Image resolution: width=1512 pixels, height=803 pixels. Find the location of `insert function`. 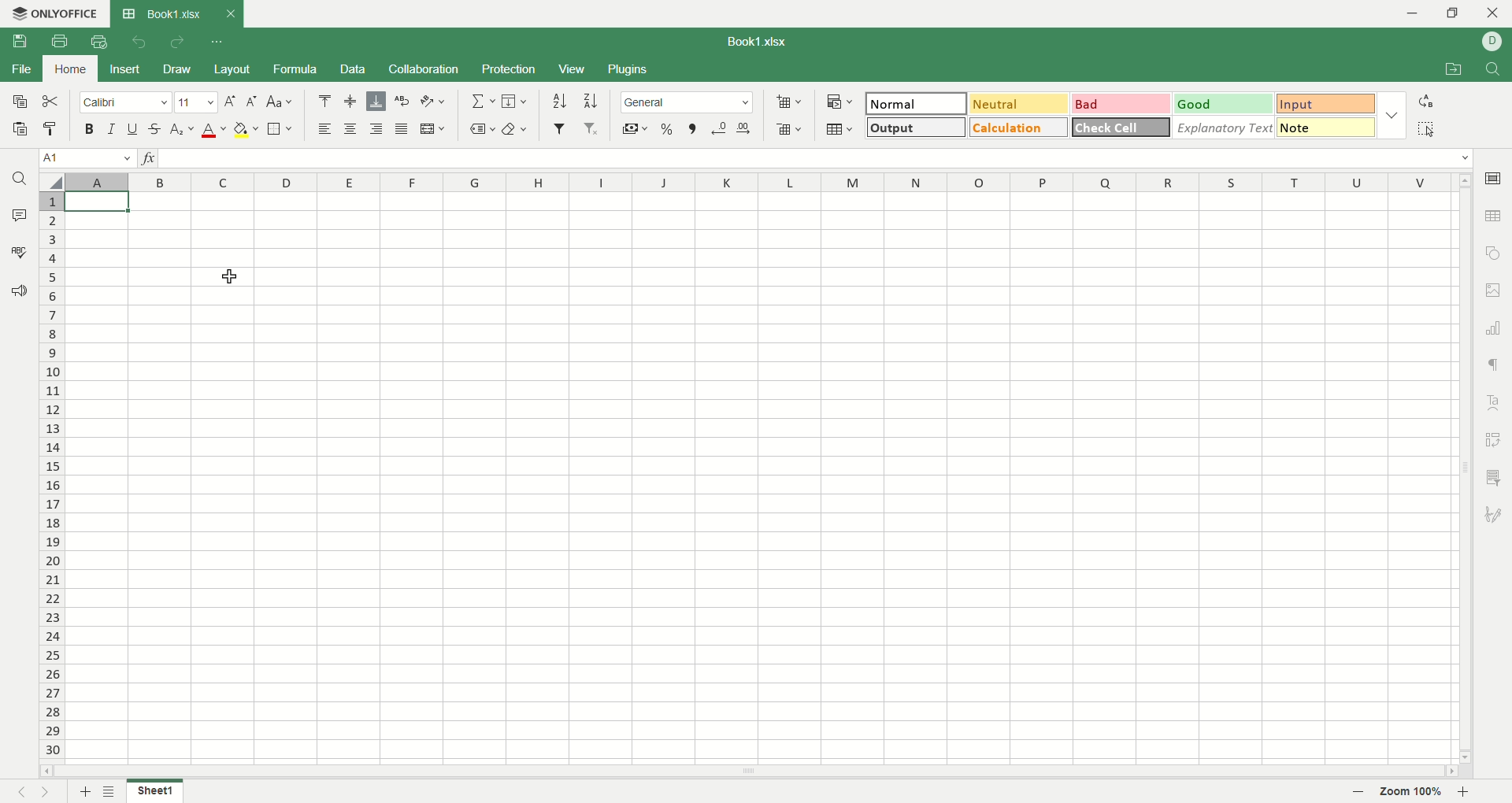

insert function is located at coordinates (152, 160).